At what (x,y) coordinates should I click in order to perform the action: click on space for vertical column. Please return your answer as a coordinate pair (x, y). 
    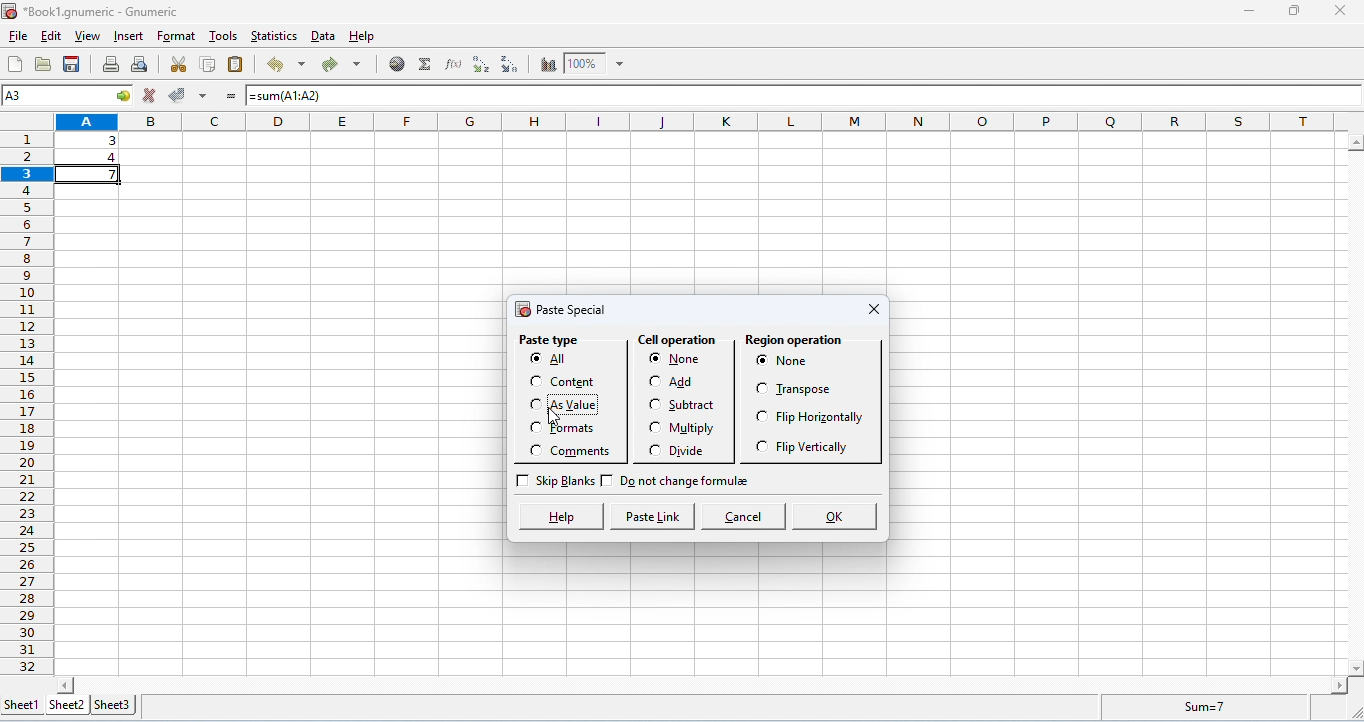
    Looking at the image, I should click on (1352, 404).